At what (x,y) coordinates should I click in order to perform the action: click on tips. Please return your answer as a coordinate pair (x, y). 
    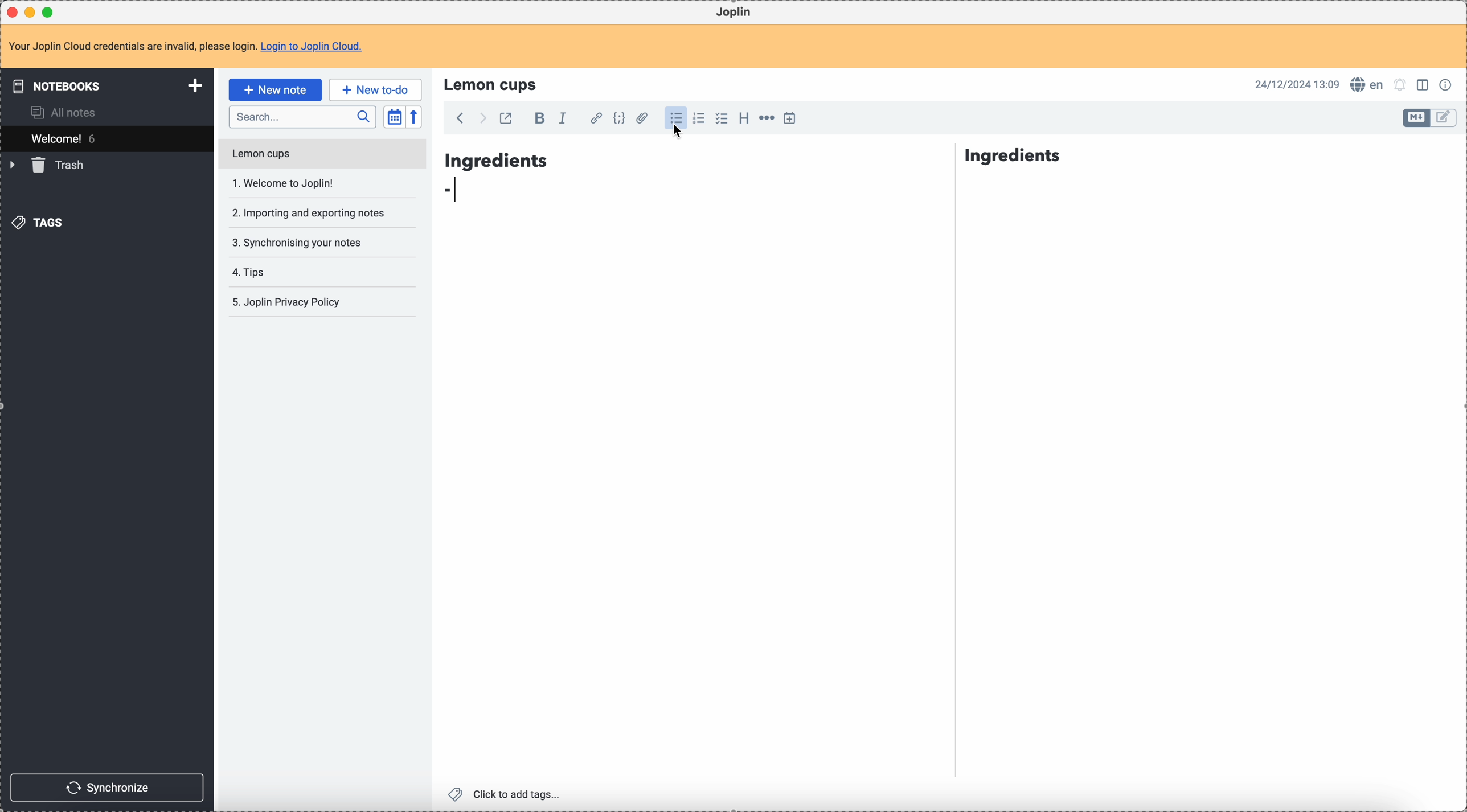
    Looking at the image, I should click on (251, 273).